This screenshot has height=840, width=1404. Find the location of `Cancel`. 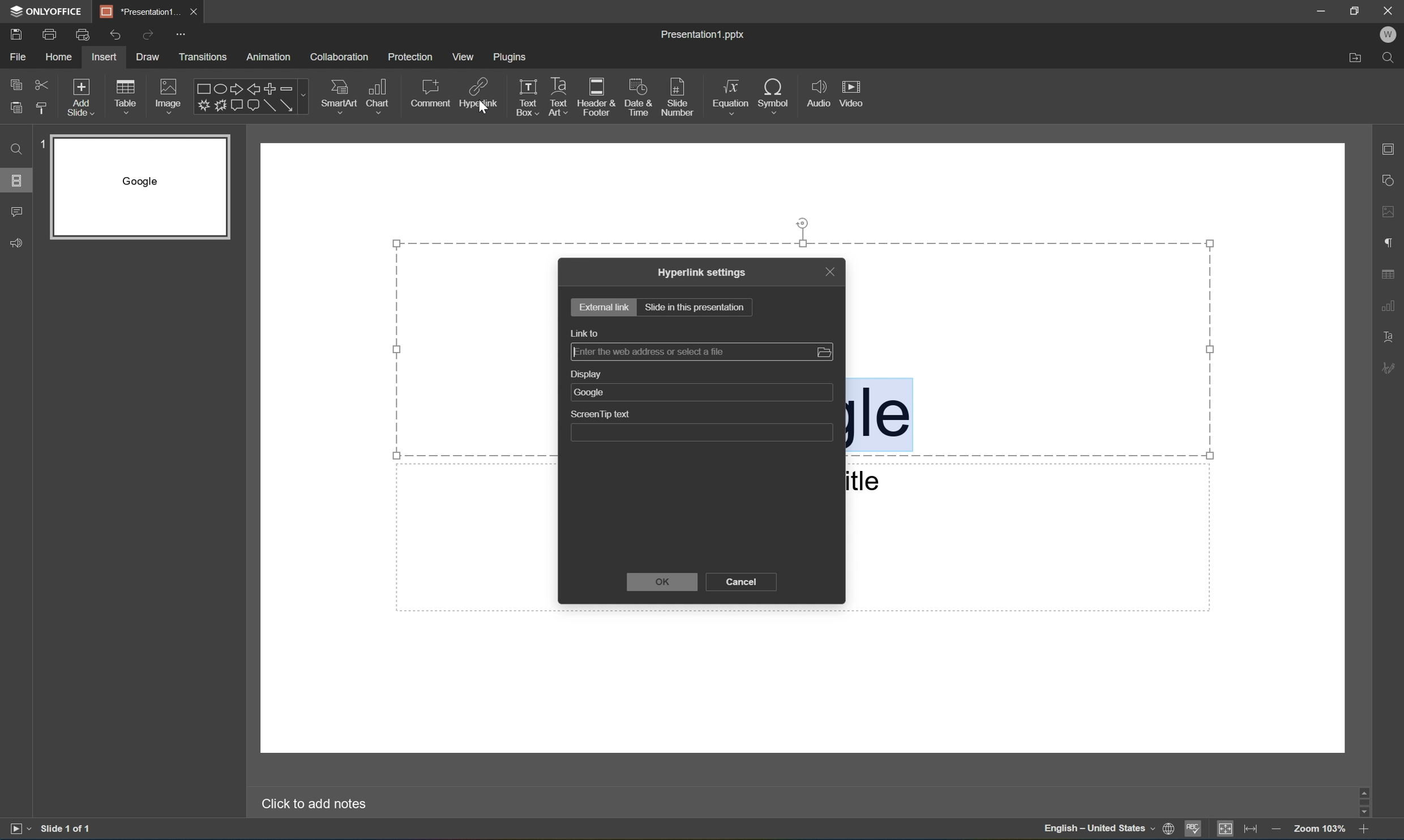

Cancel is located at coordinates (742, 583).